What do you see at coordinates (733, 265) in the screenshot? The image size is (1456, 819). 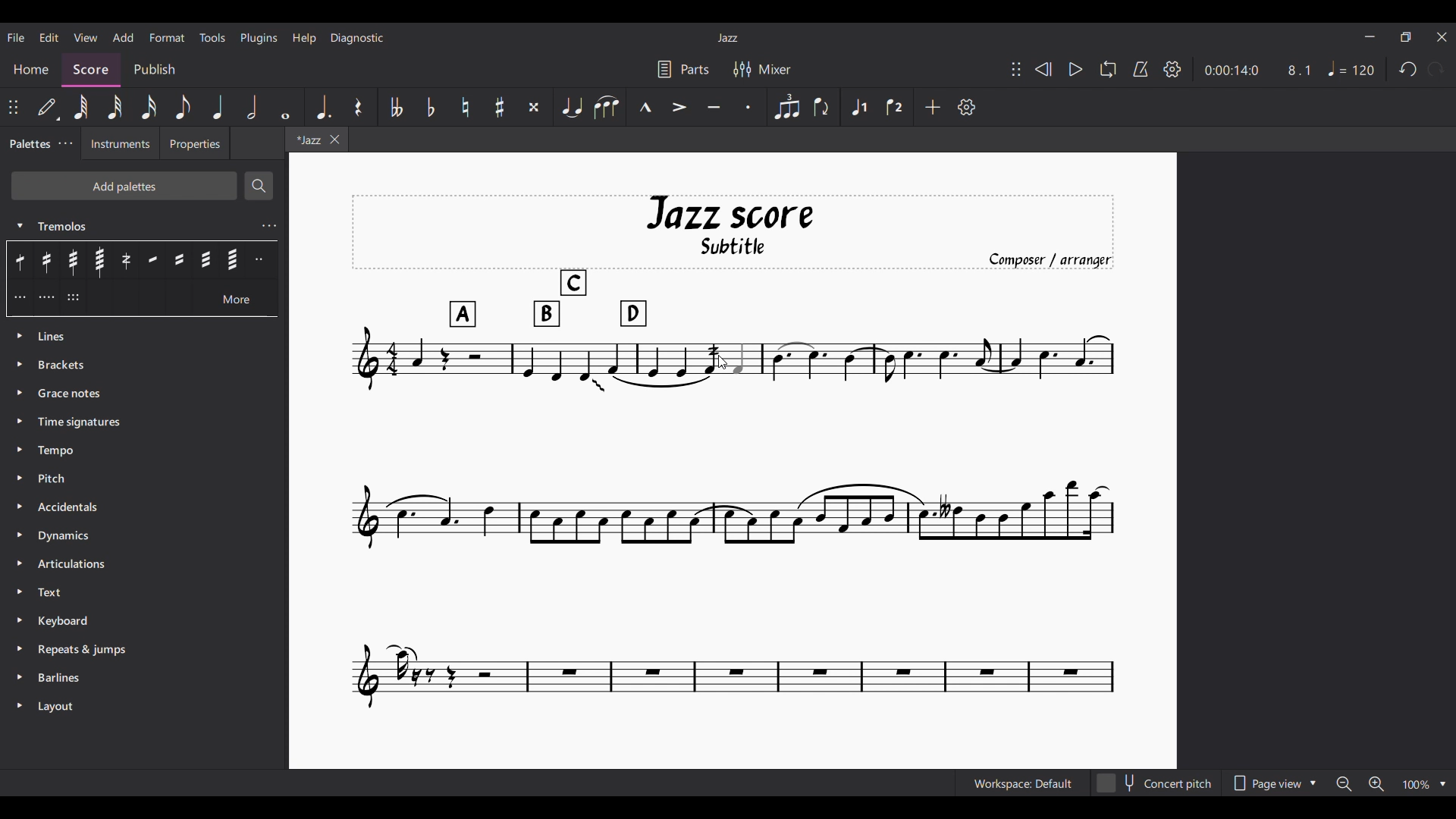 I see `Current score` at bounding box center [733, 265].